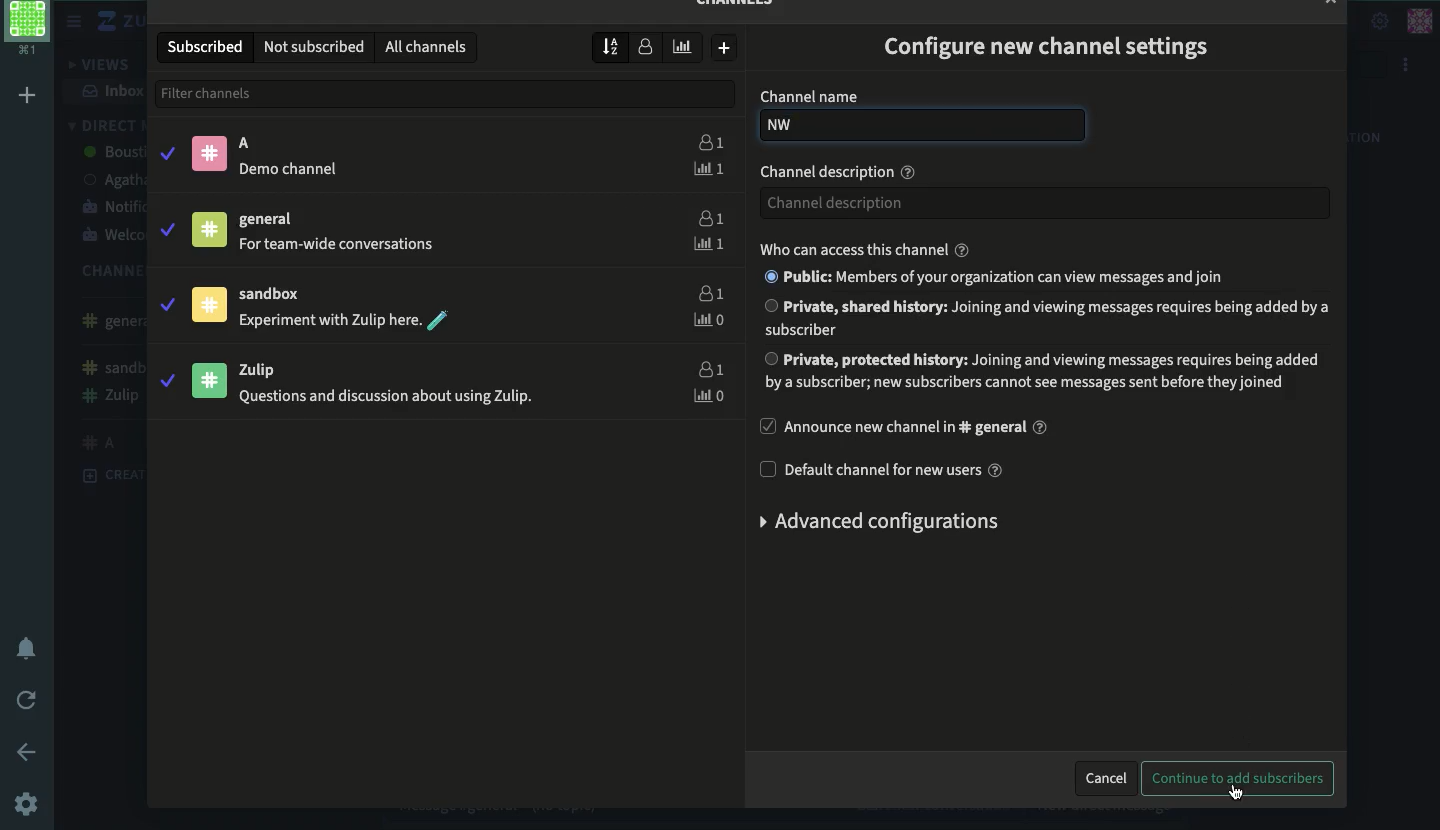 This screenshot has height=830, width=1440. What do you see at coordinates (170, 268) in the screenshot?
I see `subscribe\unsubscribe` at bounding box center [170, 268].